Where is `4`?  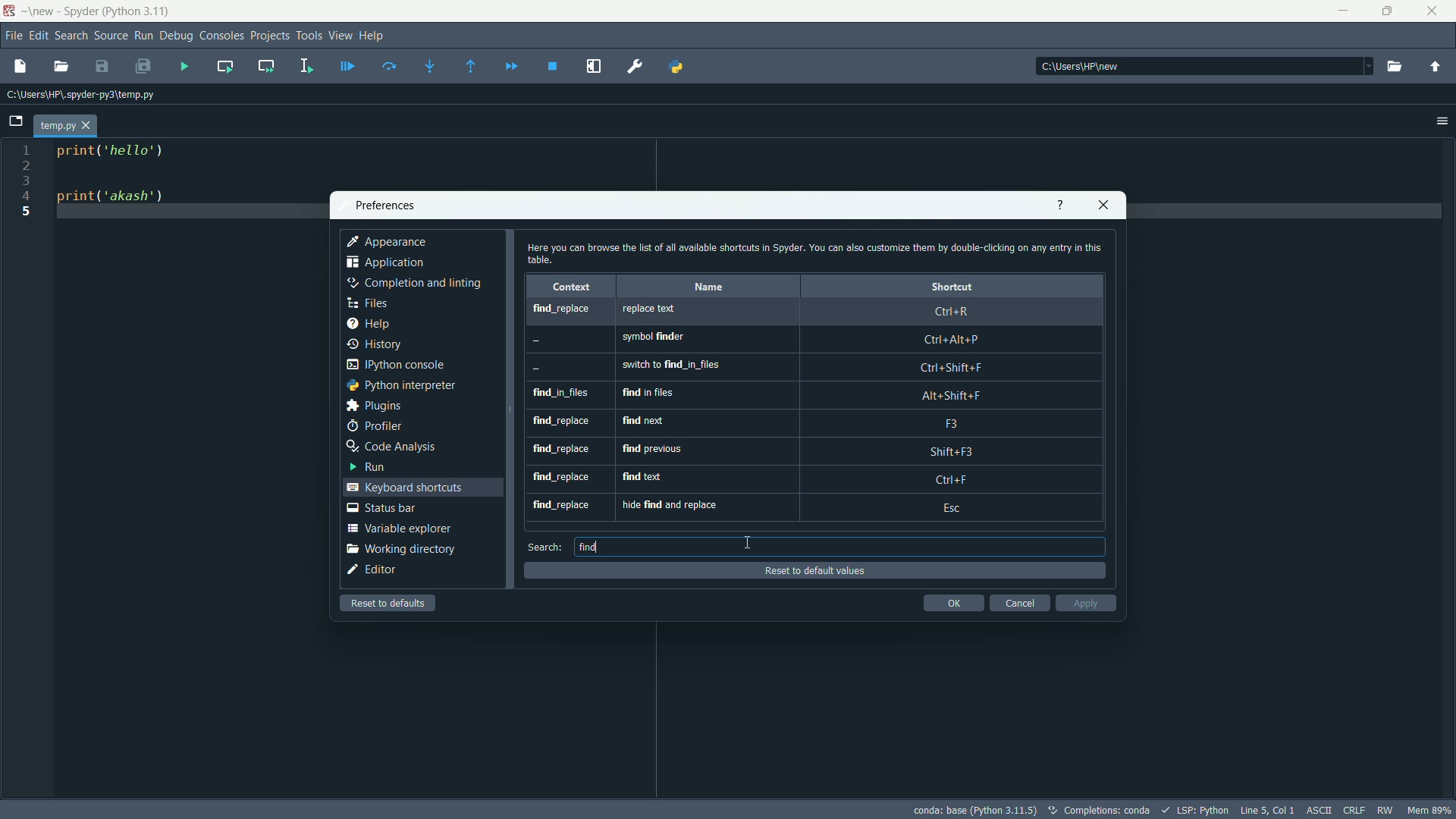
4 is located at coordinates (29, 199).